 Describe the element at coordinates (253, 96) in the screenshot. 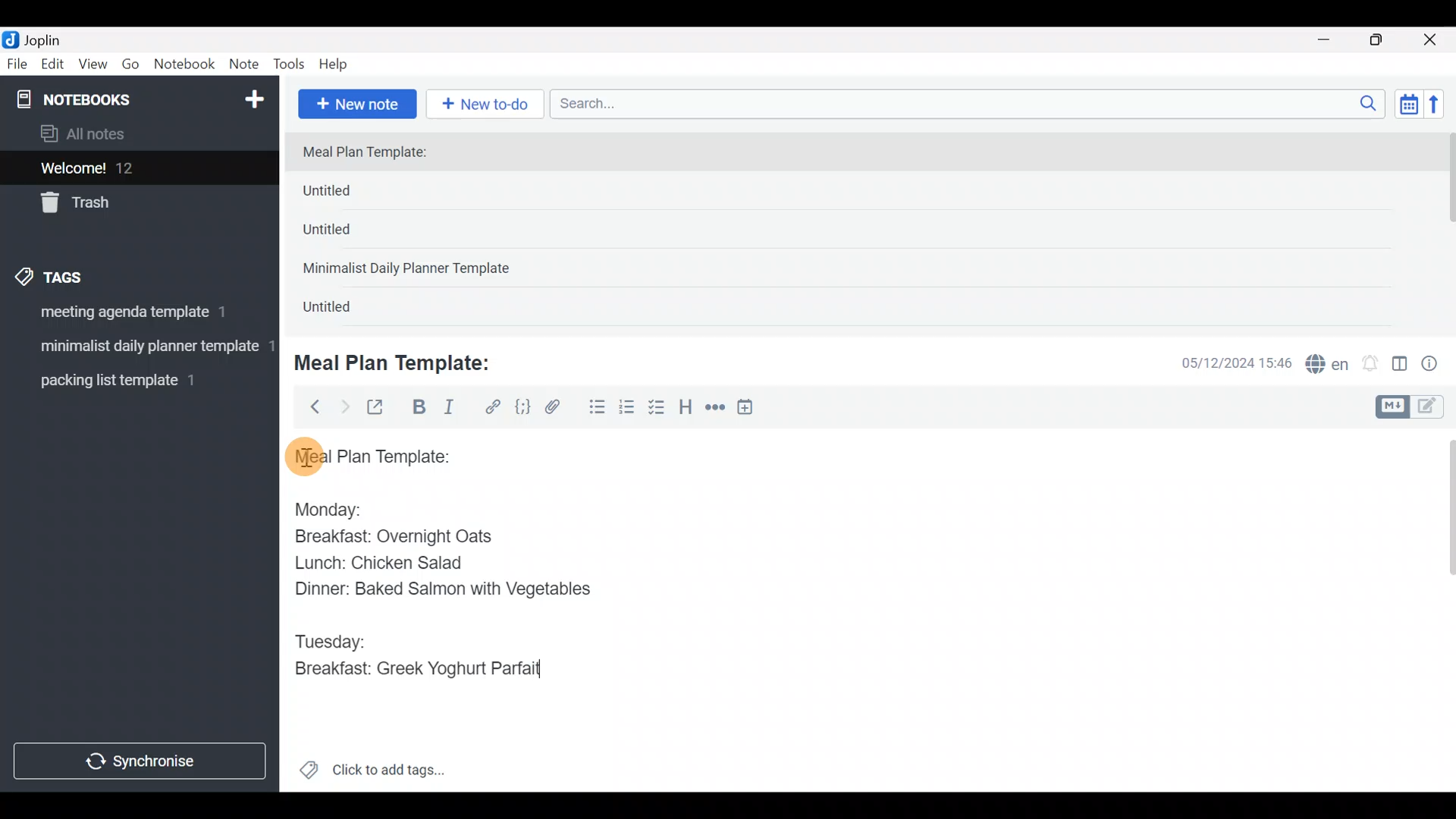

I see `New` at that location.